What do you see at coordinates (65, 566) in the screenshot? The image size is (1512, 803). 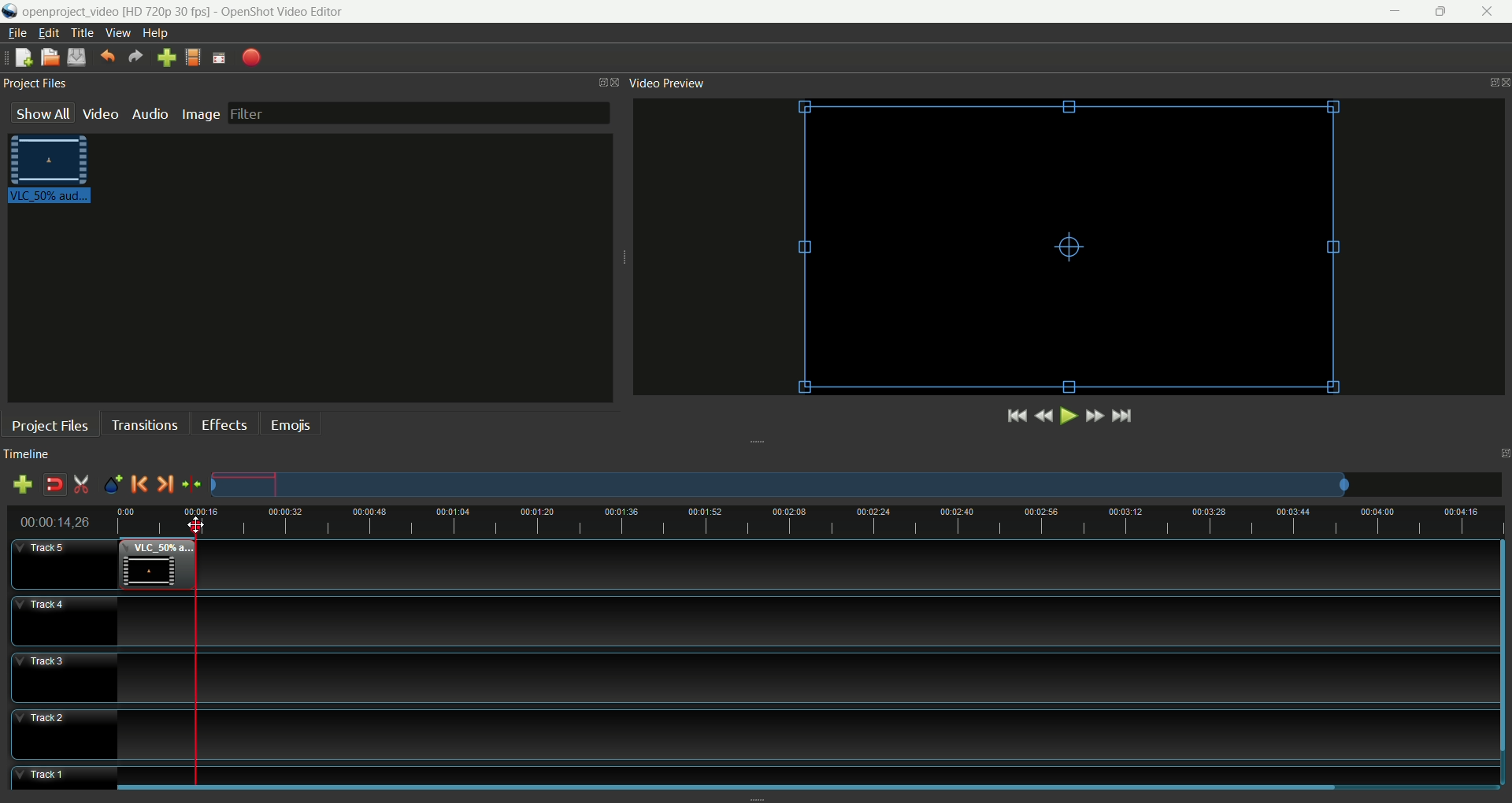 I see `track5` at bounding box center [65, 566].